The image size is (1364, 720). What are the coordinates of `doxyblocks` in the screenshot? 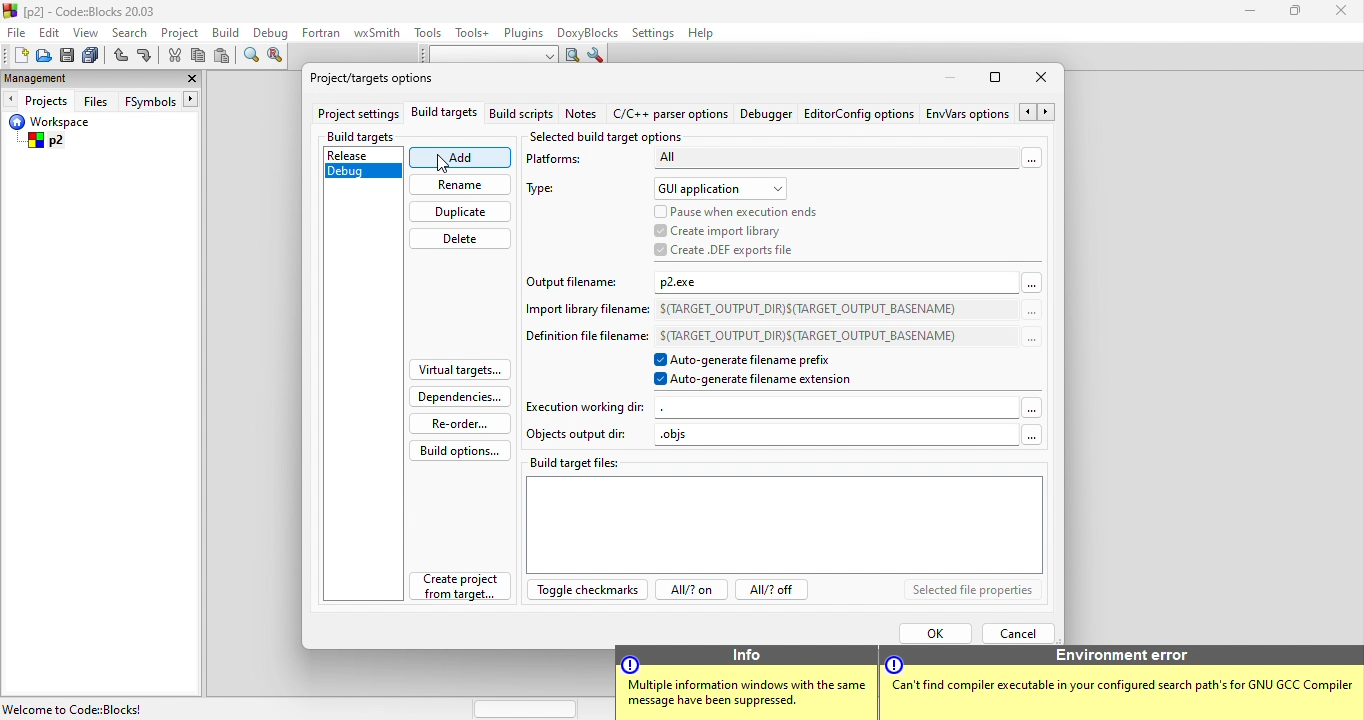 It's located at (589, 33).